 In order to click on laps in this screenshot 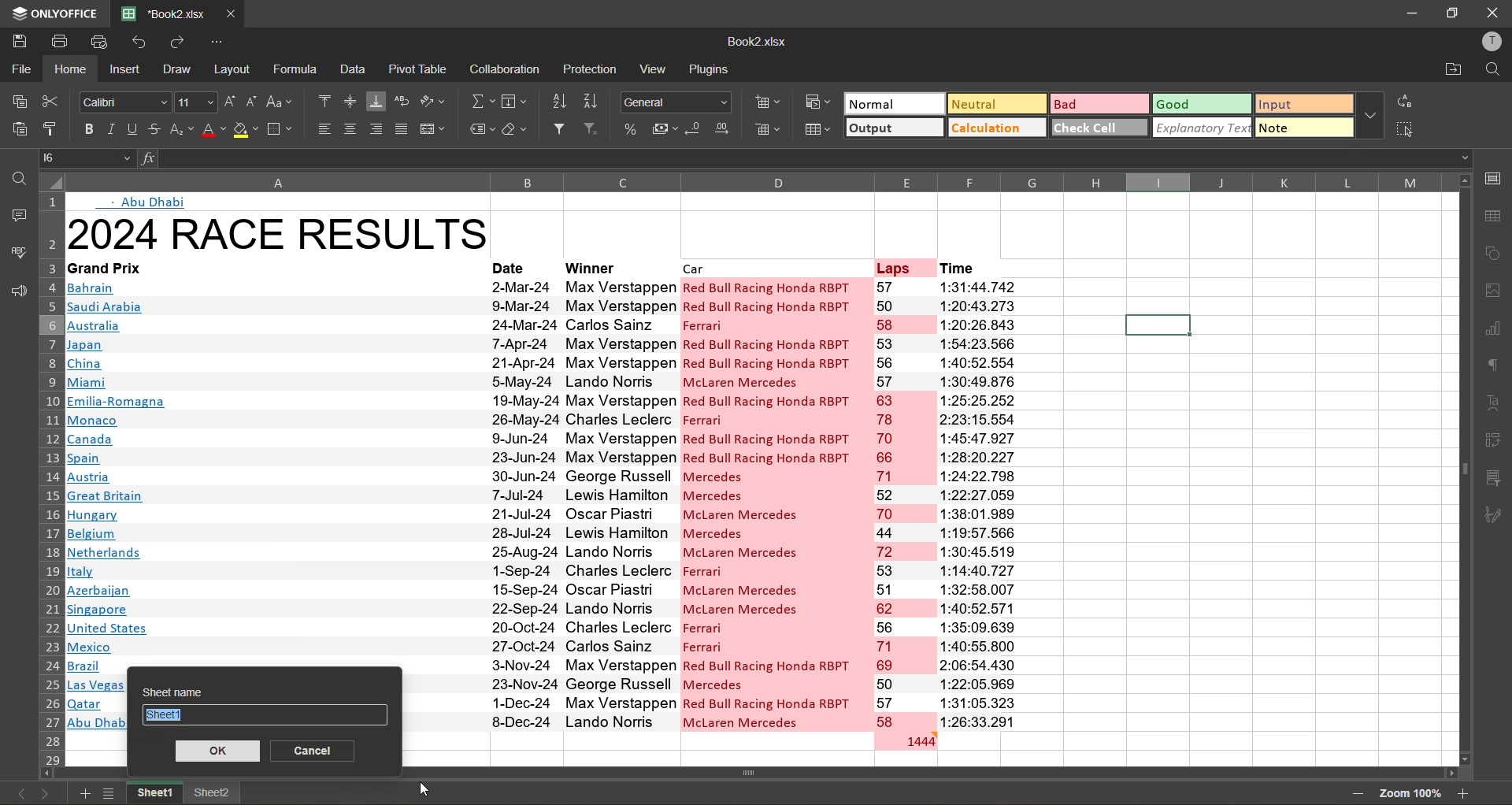, I will do `click(902, 266)`.